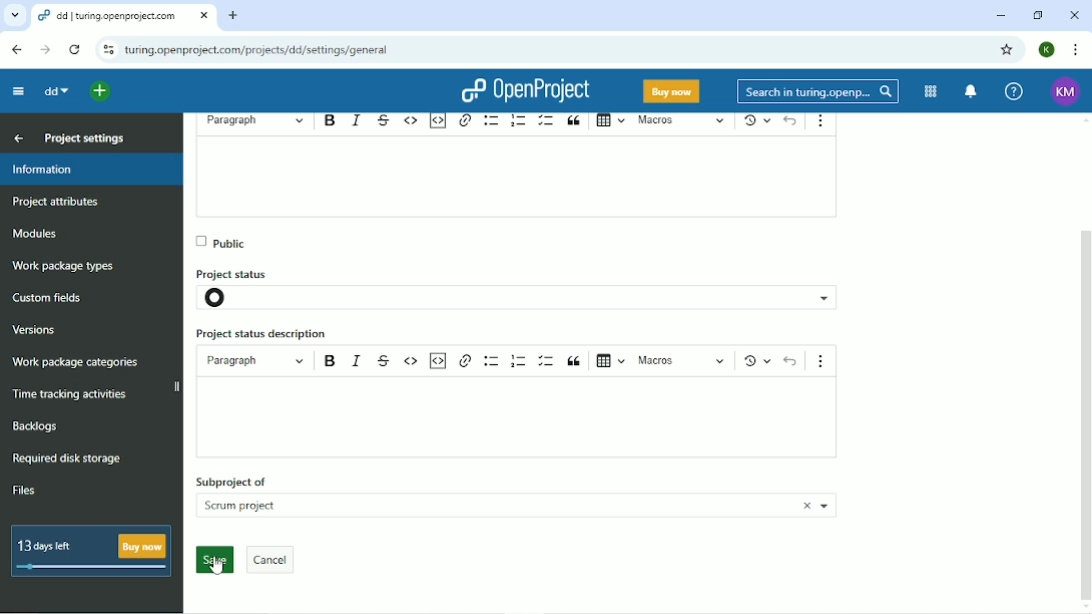 The width and height of the screenshot is (1092, 614). I want to click on close, so click(808, 512).